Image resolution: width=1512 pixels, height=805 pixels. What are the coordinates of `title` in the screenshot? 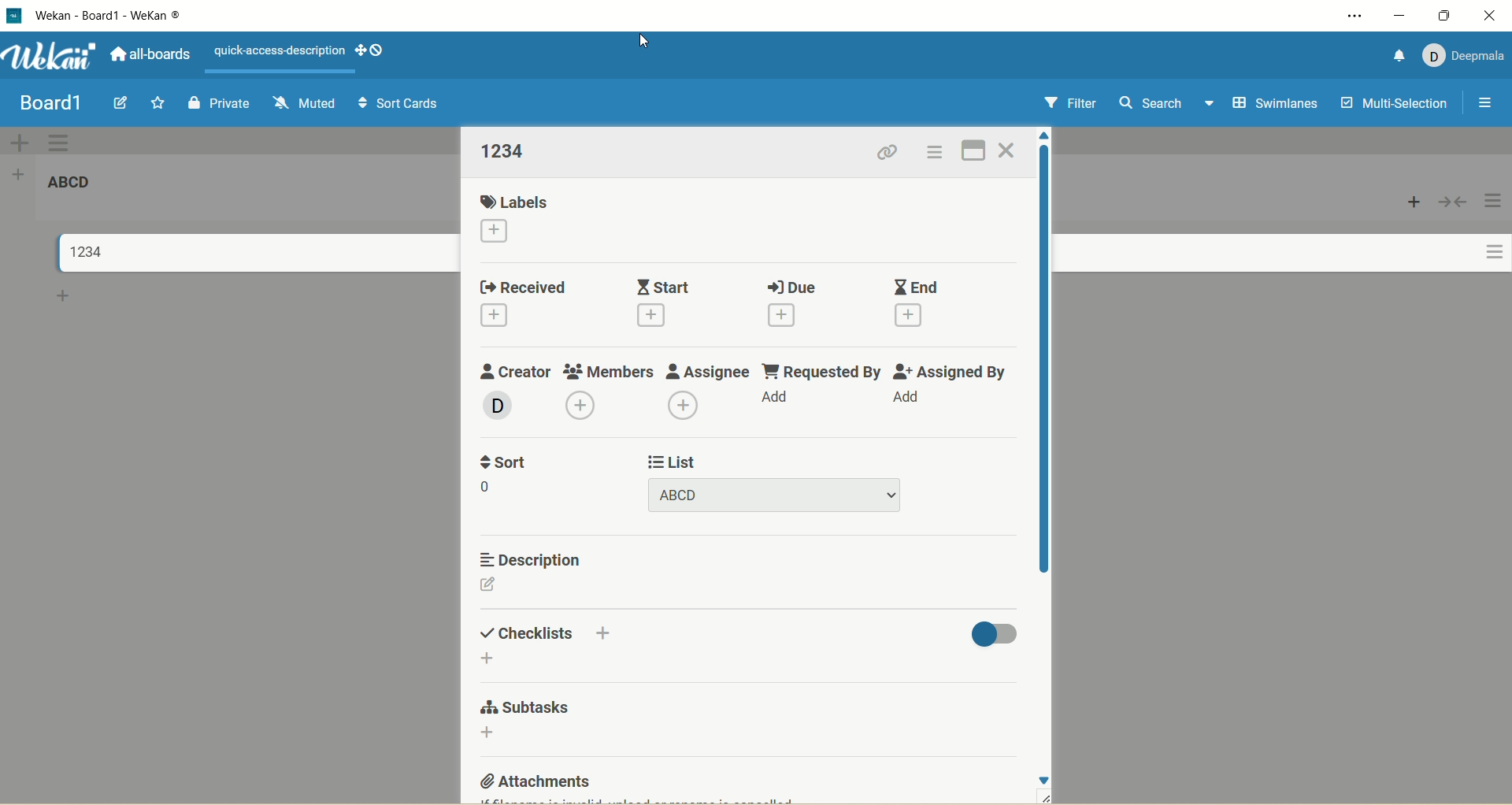 It's located at (83, 250).